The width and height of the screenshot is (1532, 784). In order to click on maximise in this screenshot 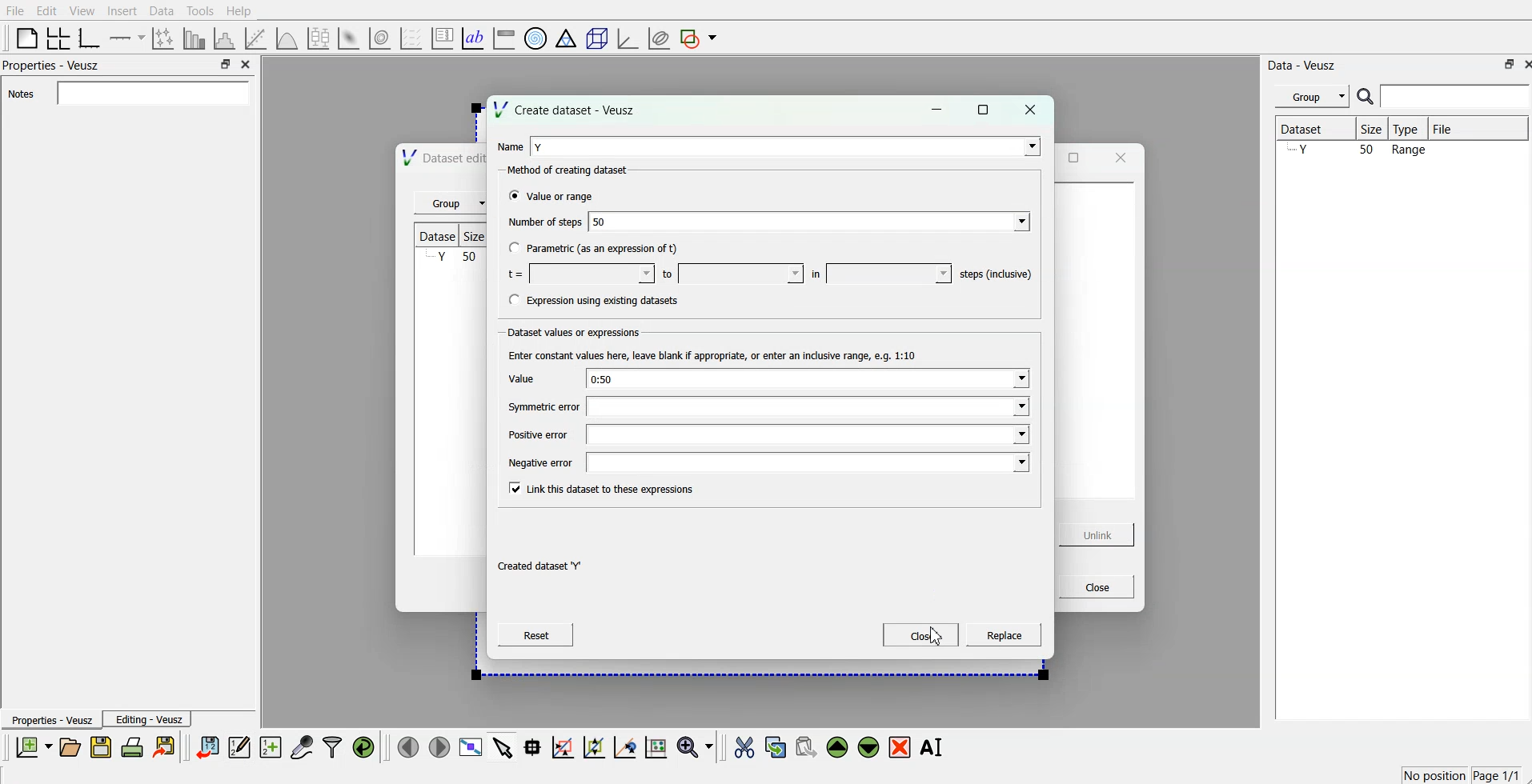, I will do `click(1074, 157)`.